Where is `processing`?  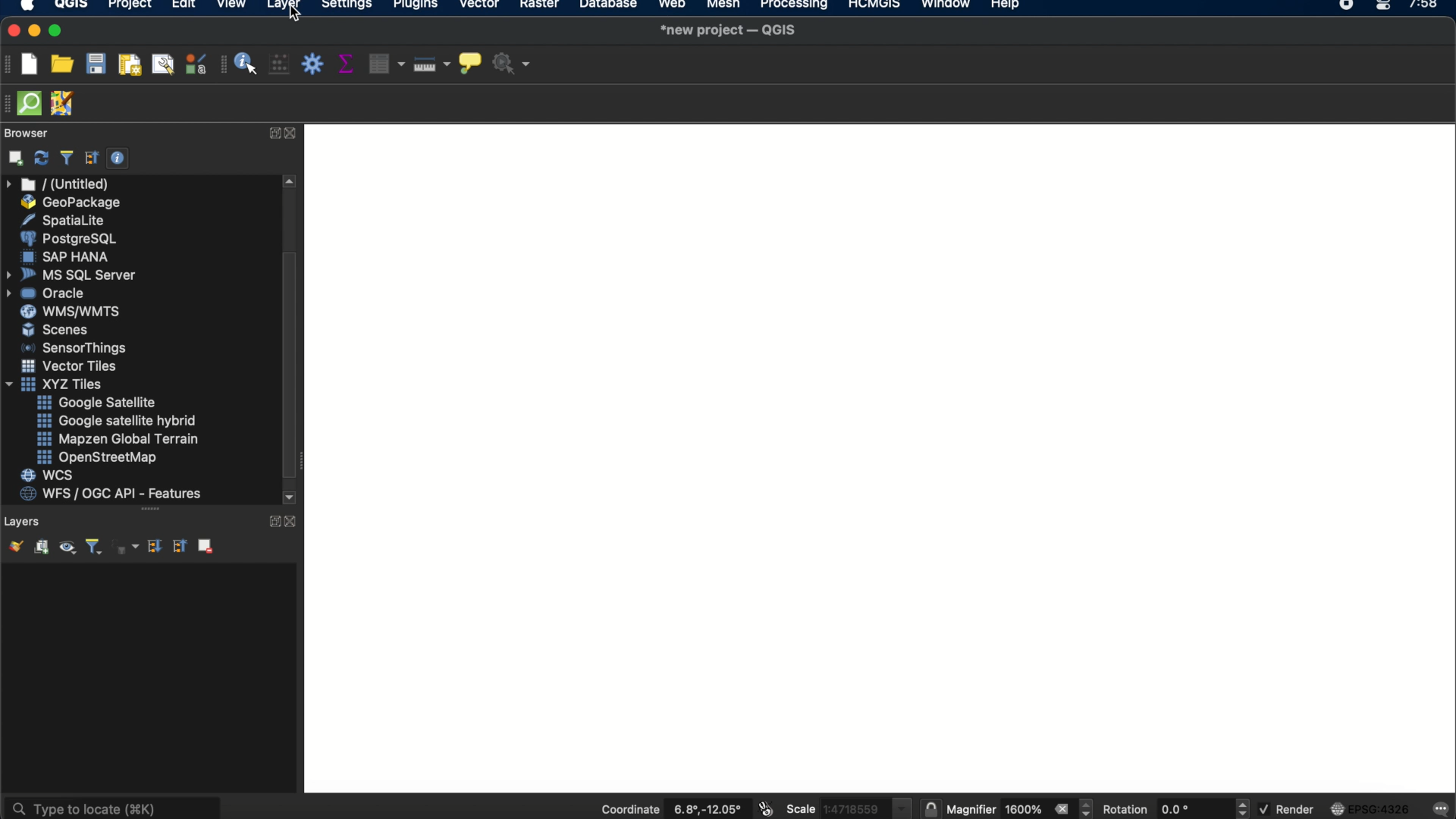 processing is located at coordinates (798, 6).